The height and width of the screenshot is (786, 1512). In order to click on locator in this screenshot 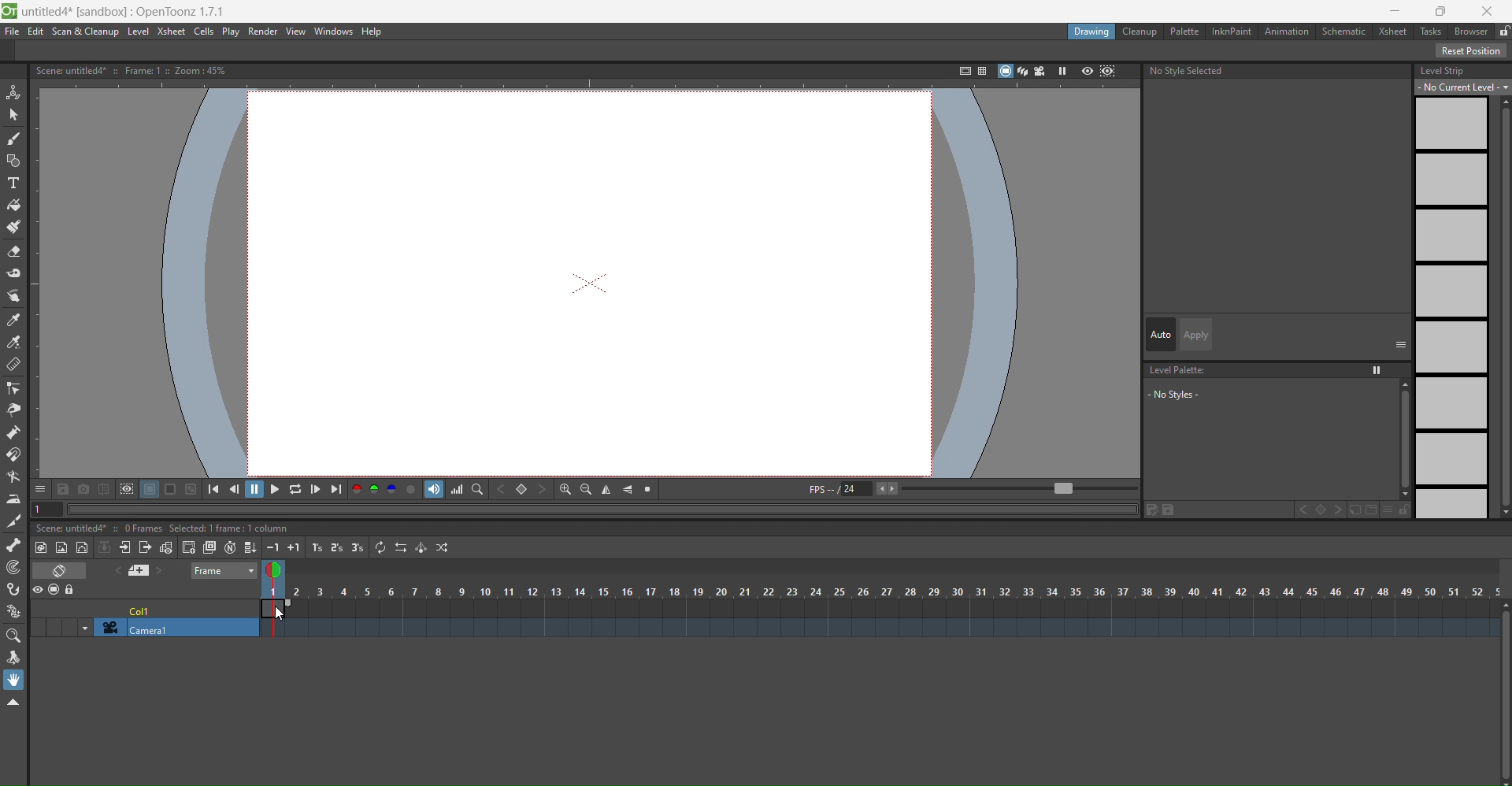, I will do `click(477, 488)`.